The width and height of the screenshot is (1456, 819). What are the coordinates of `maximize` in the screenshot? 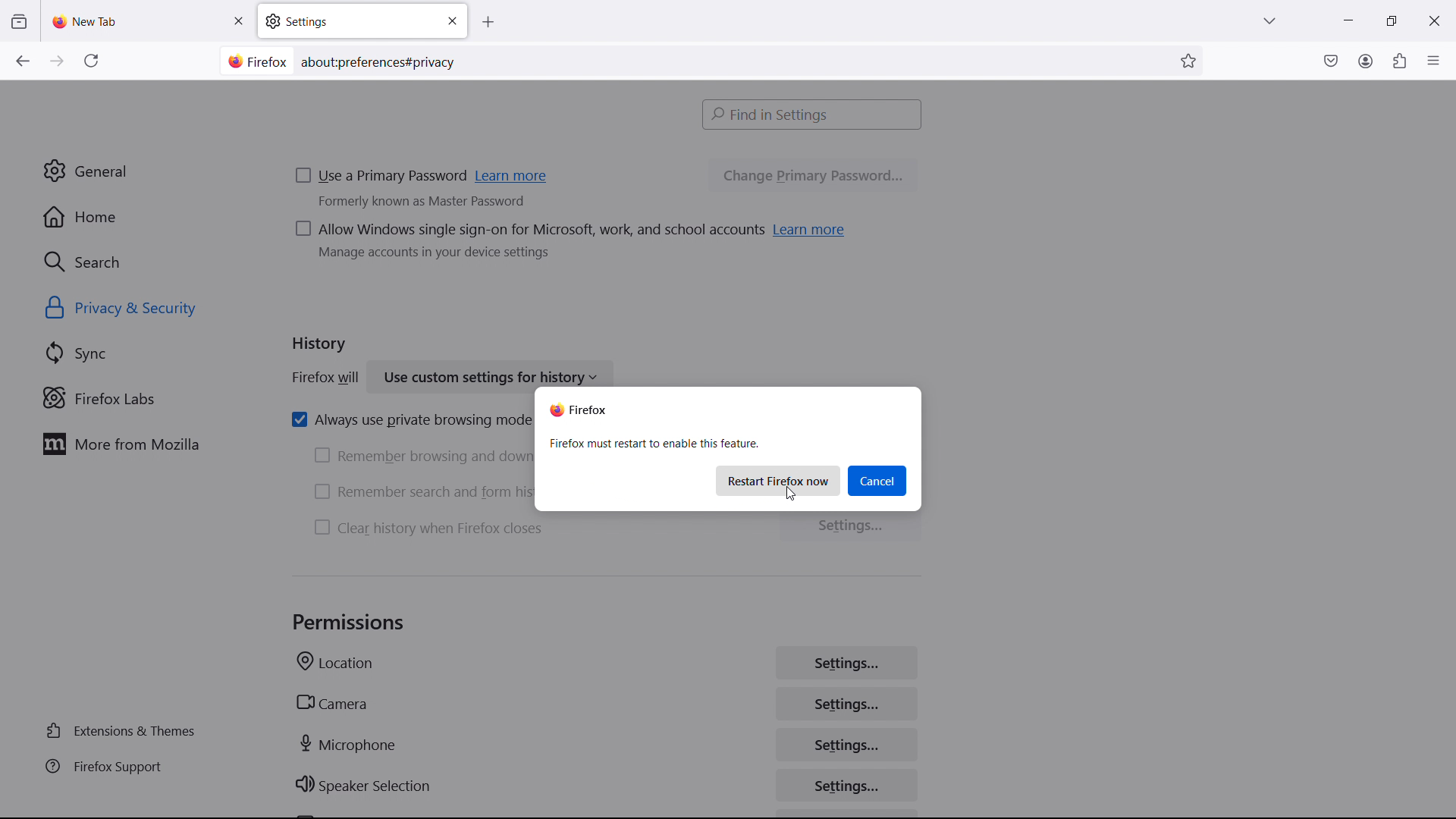 It's located at (1388, 21).